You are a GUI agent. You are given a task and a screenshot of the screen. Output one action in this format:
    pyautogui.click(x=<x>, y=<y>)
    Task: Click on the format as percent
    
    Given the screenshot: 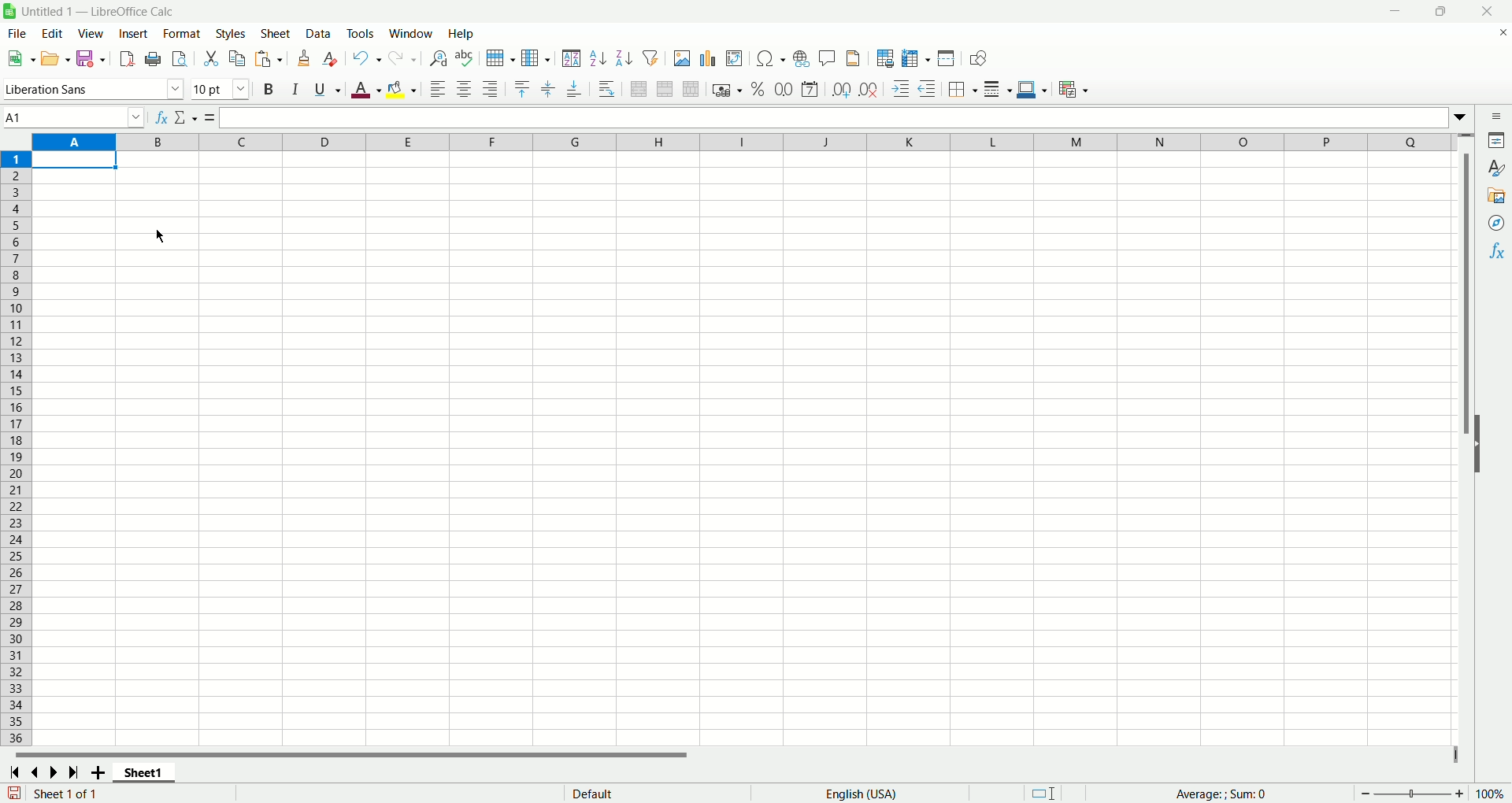 What is the action you would take?
    pyautogui.click(x=760, y=89)
    